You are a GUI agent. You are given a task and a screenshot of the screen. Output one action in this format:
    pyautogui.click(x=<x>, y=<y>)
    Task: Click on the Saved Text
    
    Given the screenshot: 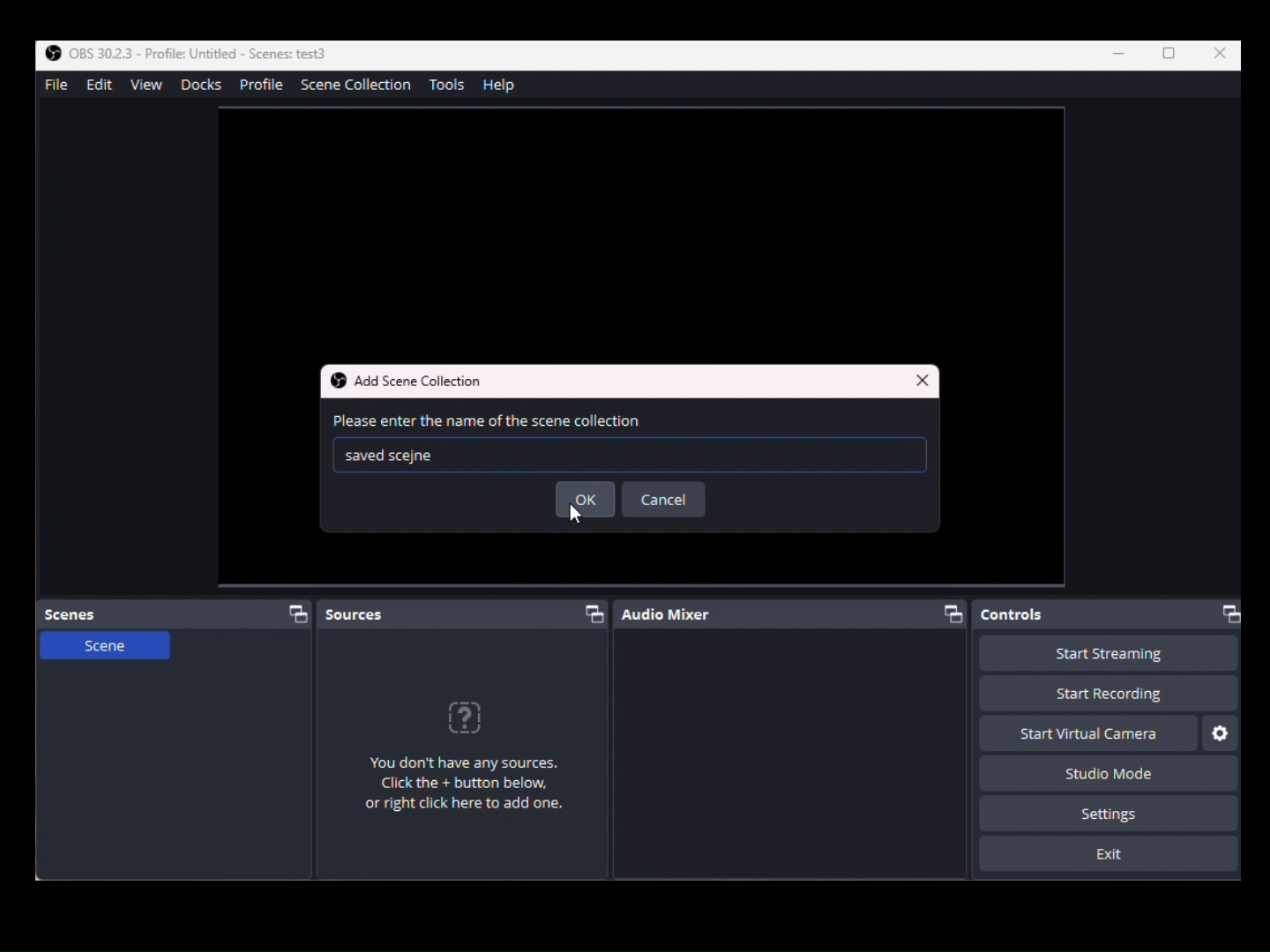 What is the action you would take?
    pyautogui.click(x=391, y=455)
    